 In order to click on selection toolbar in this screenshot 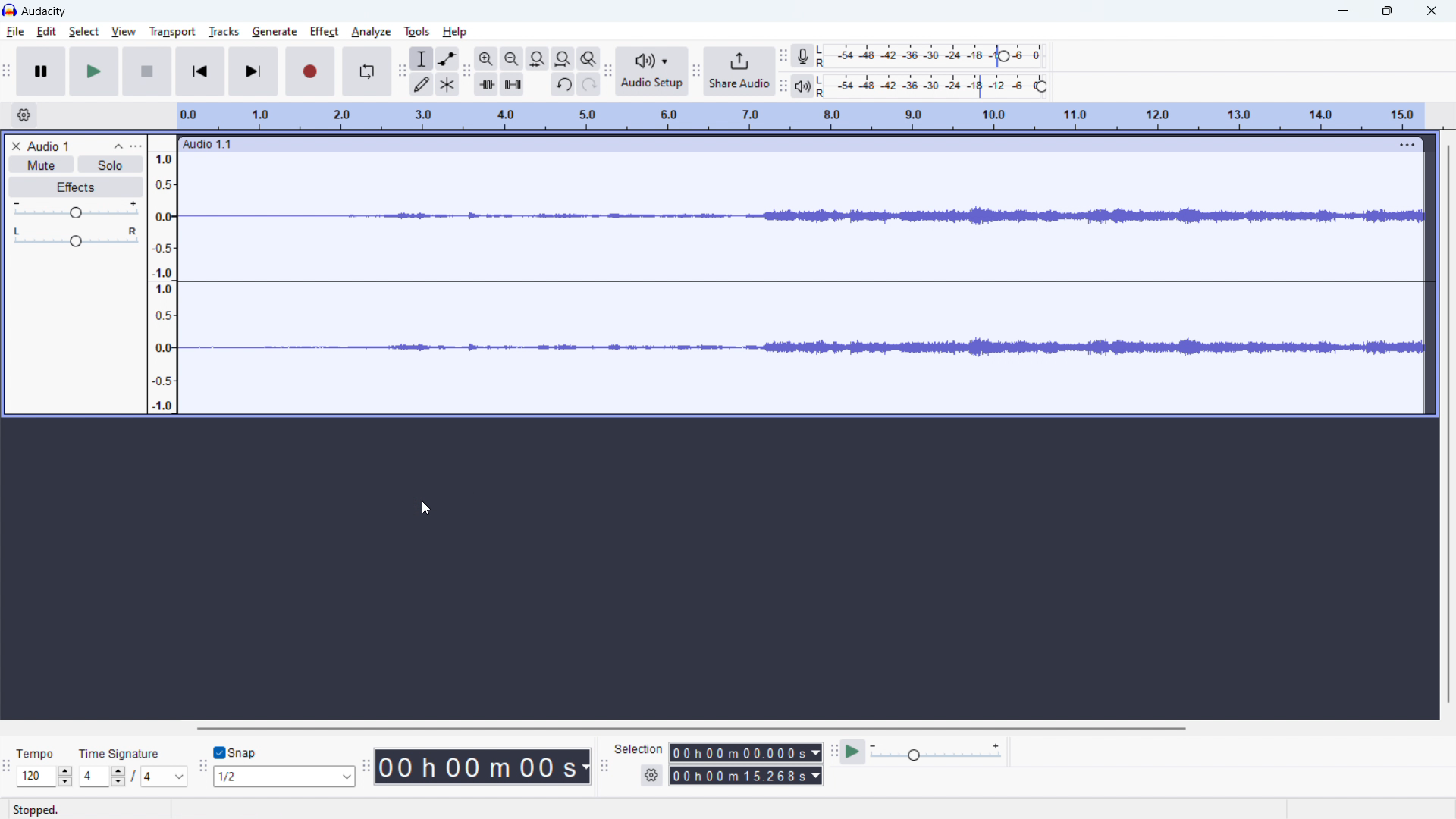, I will do `click(603, 766)`.